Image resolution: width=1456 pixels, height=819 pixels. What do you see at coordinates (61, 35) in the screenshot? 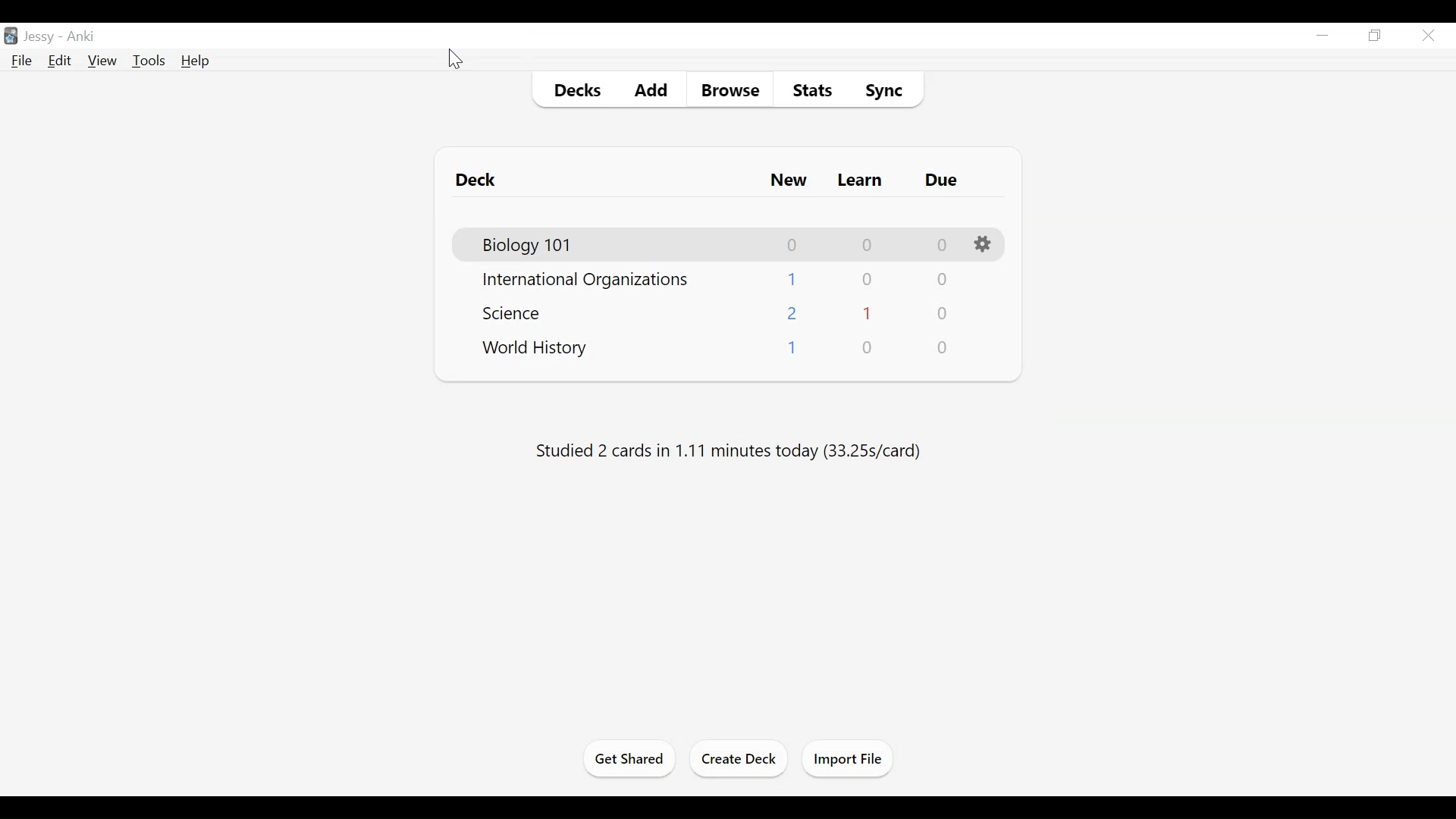
I see `User Name` at bounding box center [61, 35].